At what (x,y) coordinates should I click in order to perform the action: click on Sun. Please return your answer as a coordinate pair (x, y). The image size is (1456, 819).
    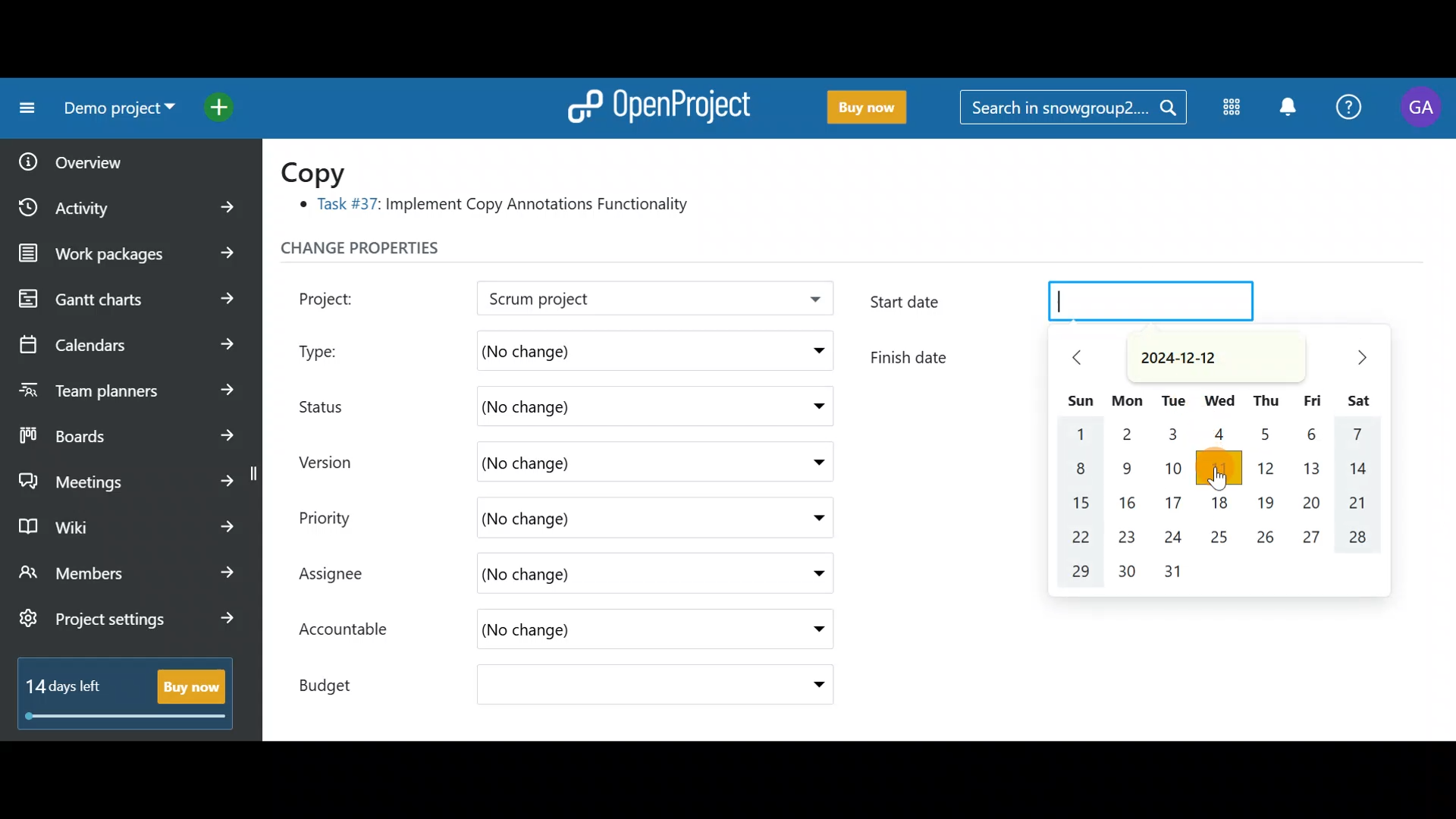
    Looking at the image, I should click on (1078, 400).